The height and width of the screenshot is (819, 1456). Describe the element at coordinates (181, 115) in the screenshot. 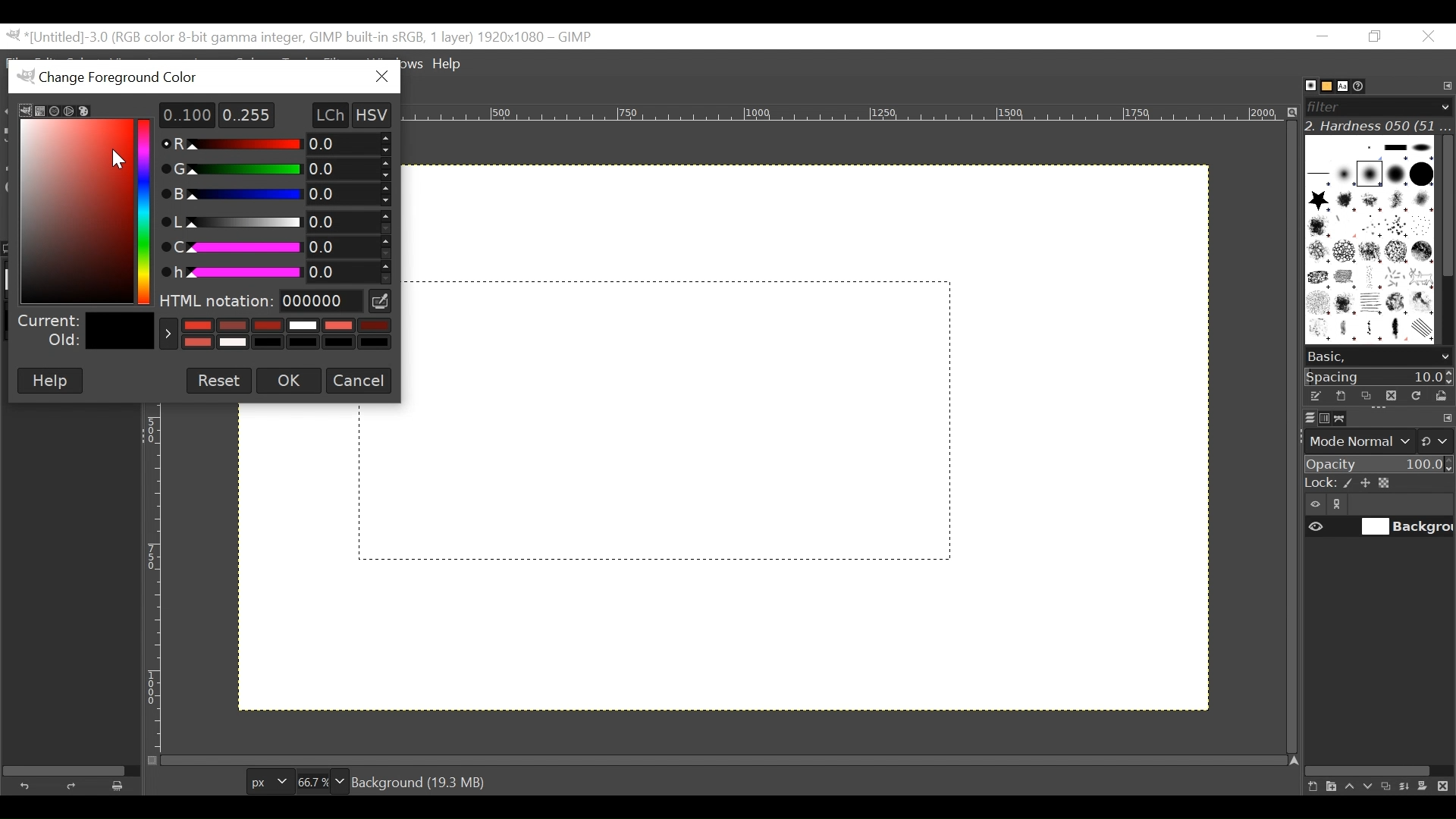

I see `0.100` at that location.